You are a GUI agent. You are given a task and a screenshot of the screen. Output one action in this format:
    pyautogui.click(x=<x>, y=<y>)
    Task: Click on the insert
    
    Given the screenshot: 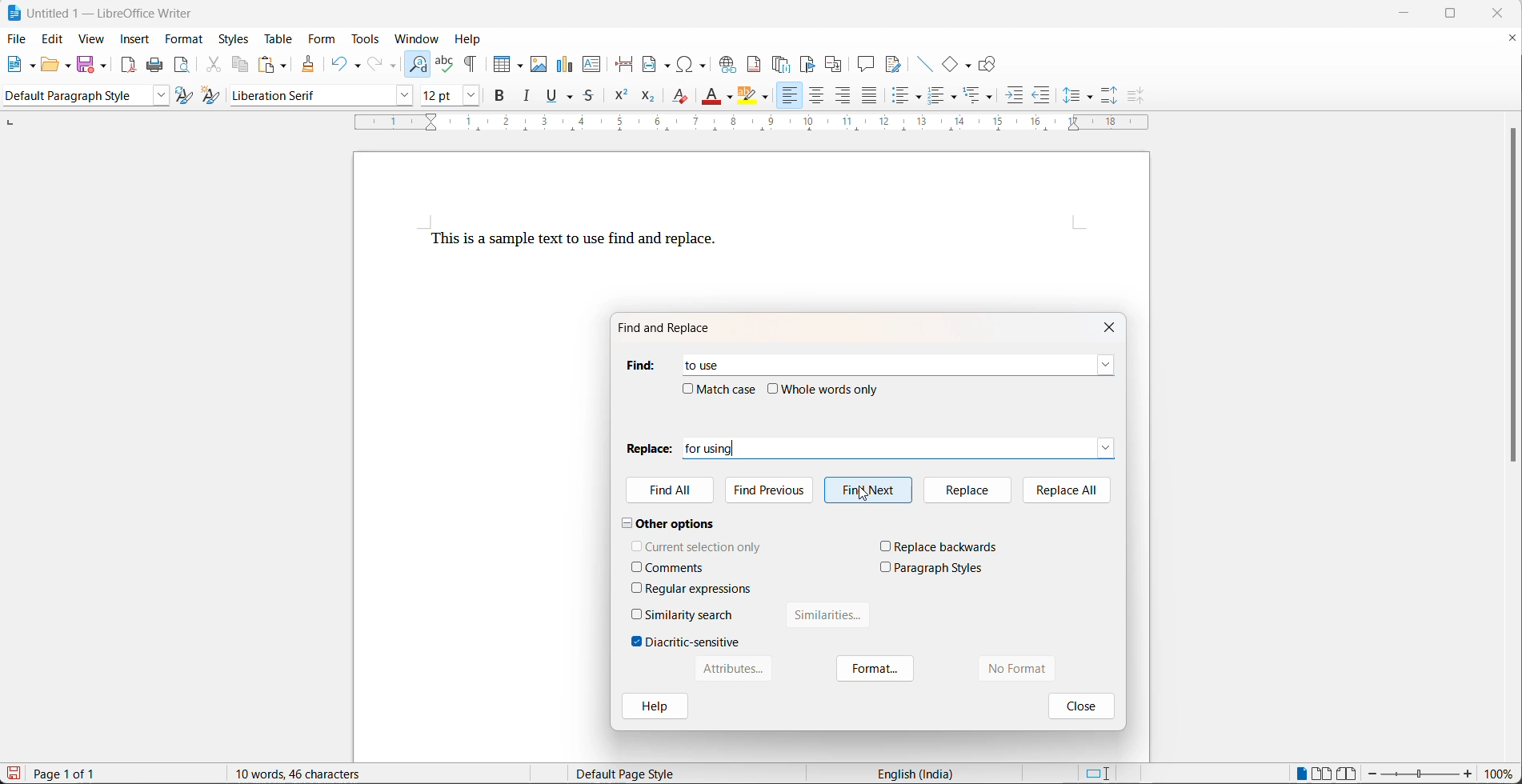 What is the action you would take?
    pyautogui.click(x=135, y=38)
    